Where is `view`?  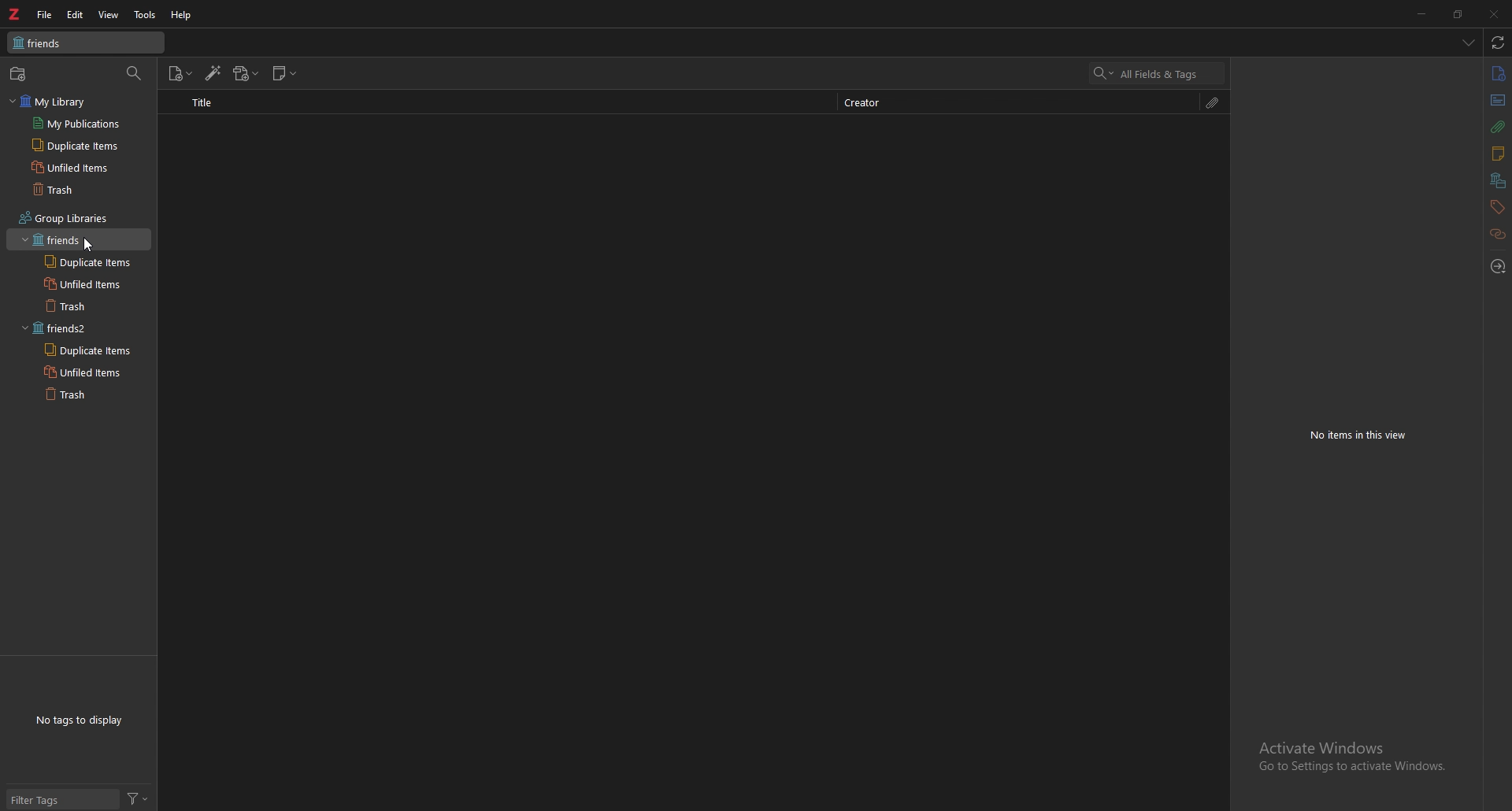
view is located at coordinates (109, 14).